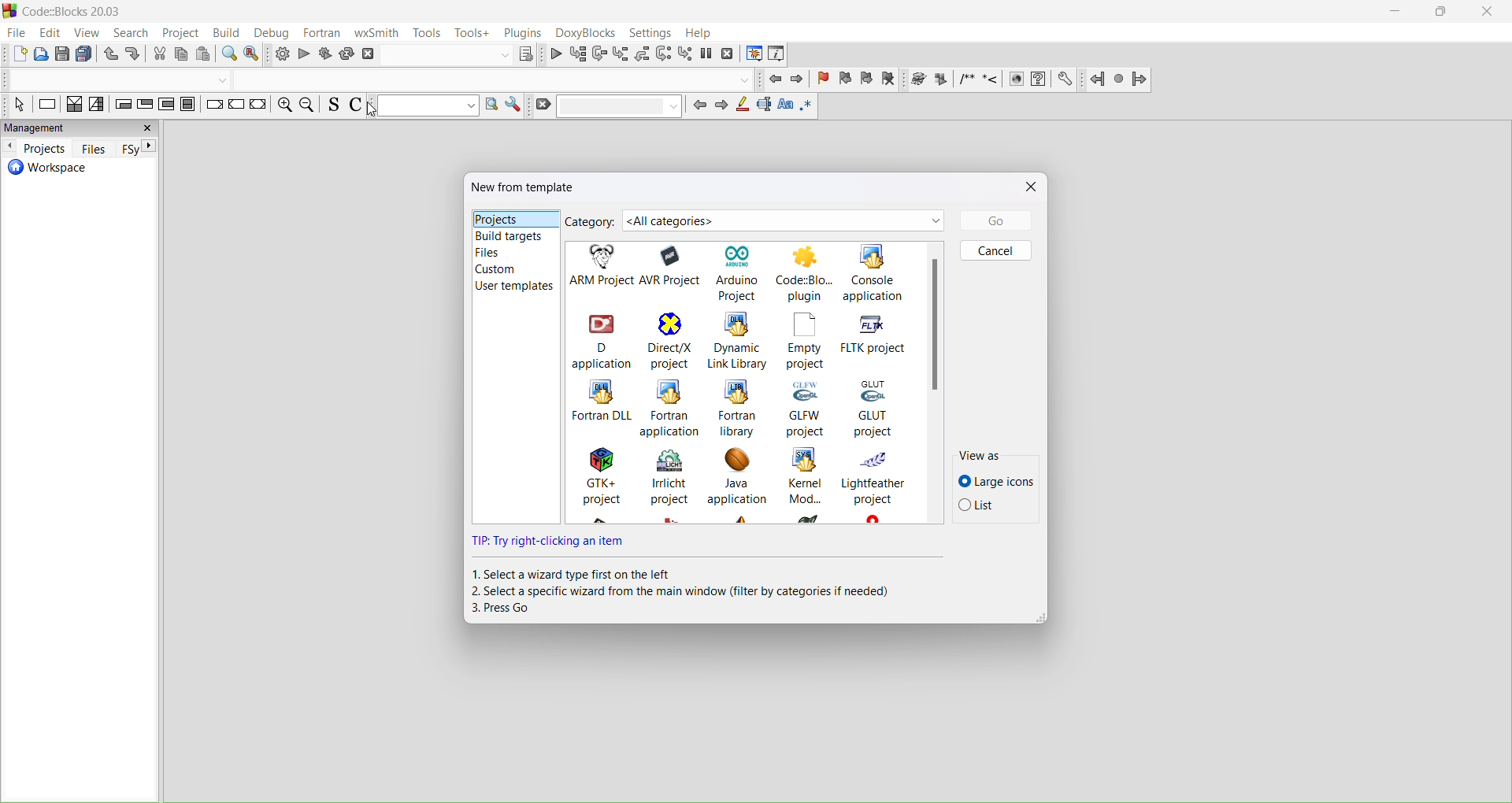 The height and width of the screenshot is (803, 1512). Describe the element at coordinates (122, 105) in the screenshot. I see `entry condition loop` at that location.